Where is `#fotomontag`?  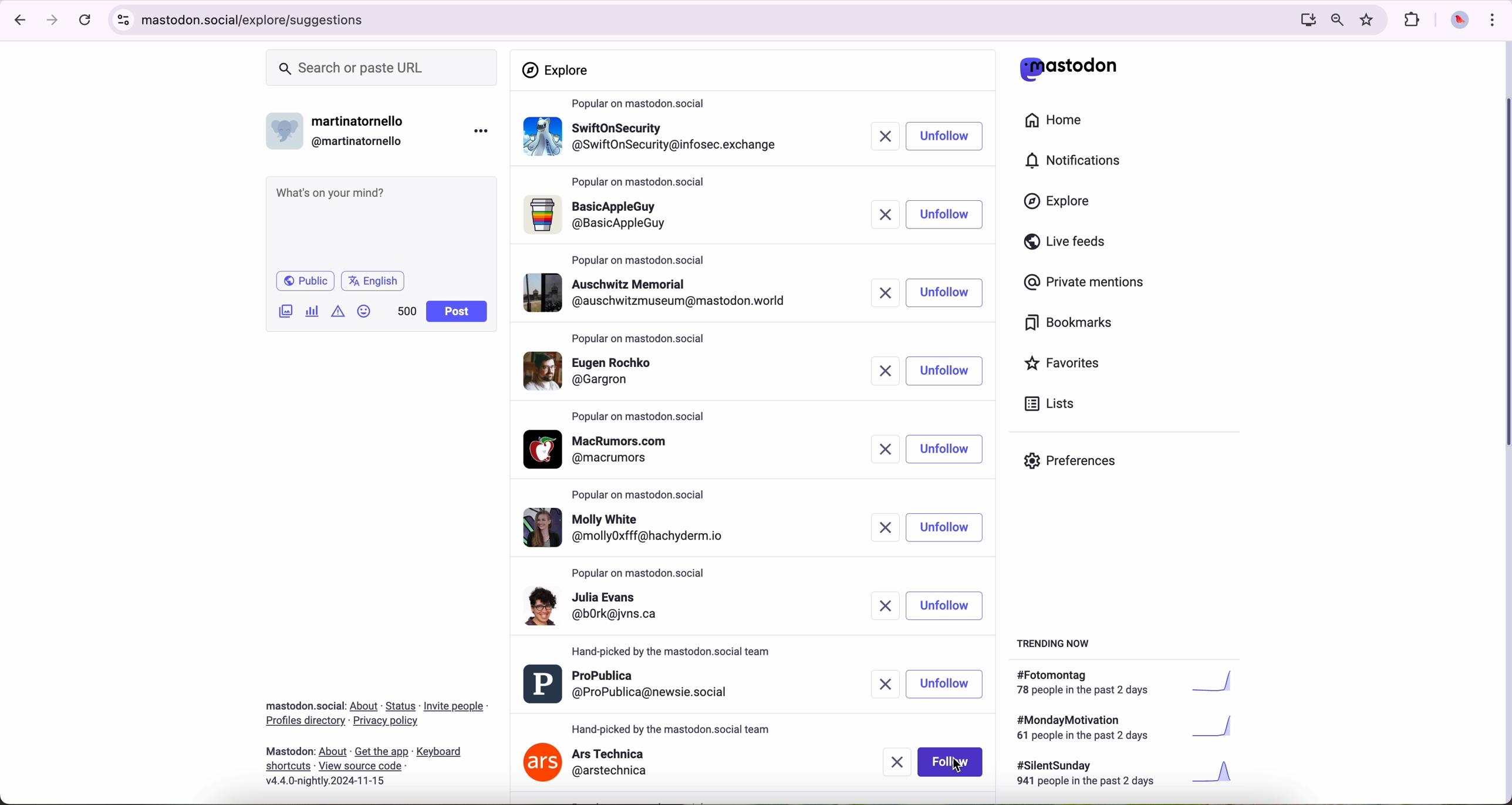
#fotomontag is located at coordinates (1133, 683).